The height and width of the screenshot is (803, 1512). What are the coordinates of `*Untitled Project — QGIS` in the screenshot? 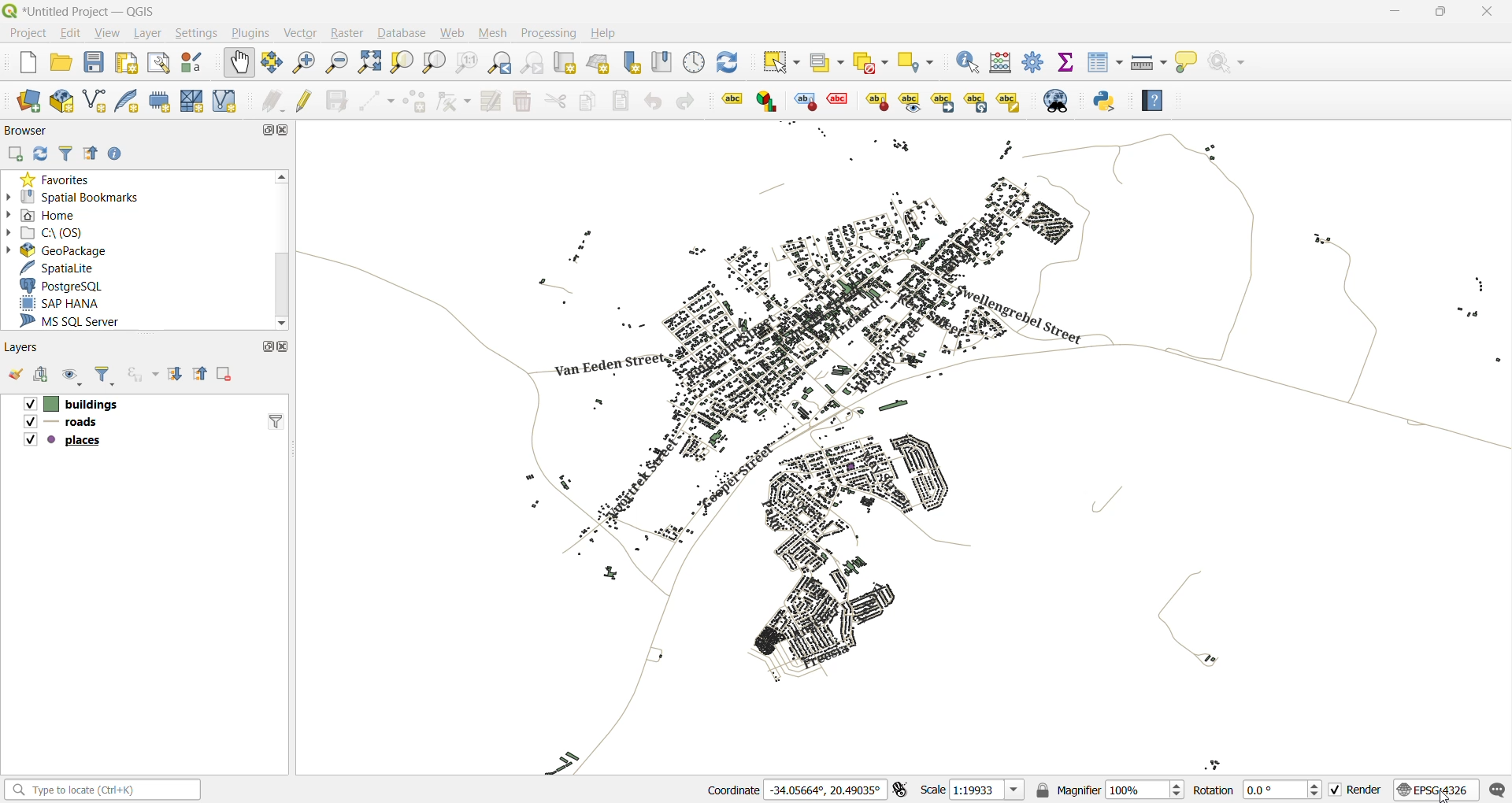 It's located at (94, 11).